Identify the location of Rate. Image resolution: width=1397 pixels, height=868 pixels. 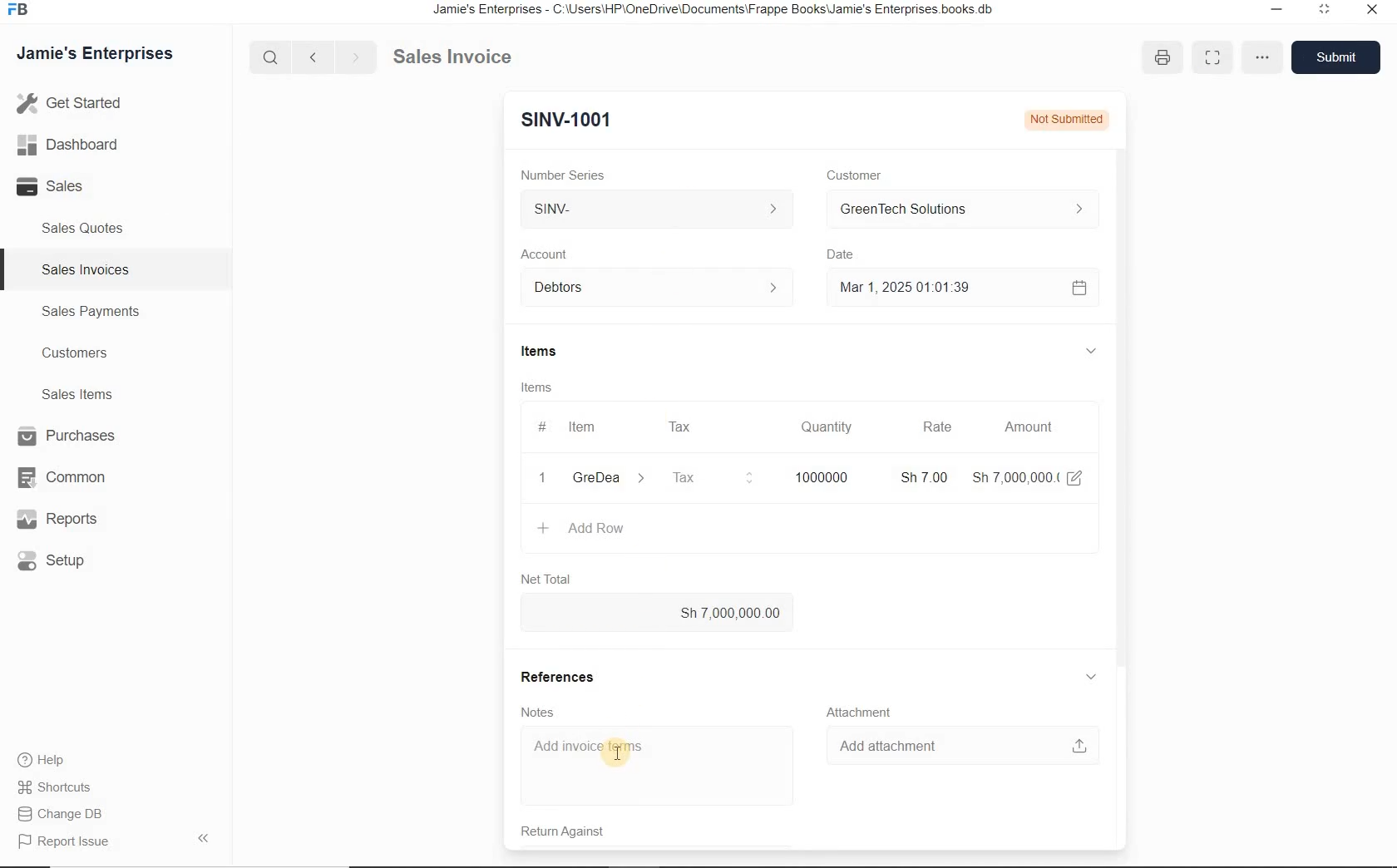
(937, 428).